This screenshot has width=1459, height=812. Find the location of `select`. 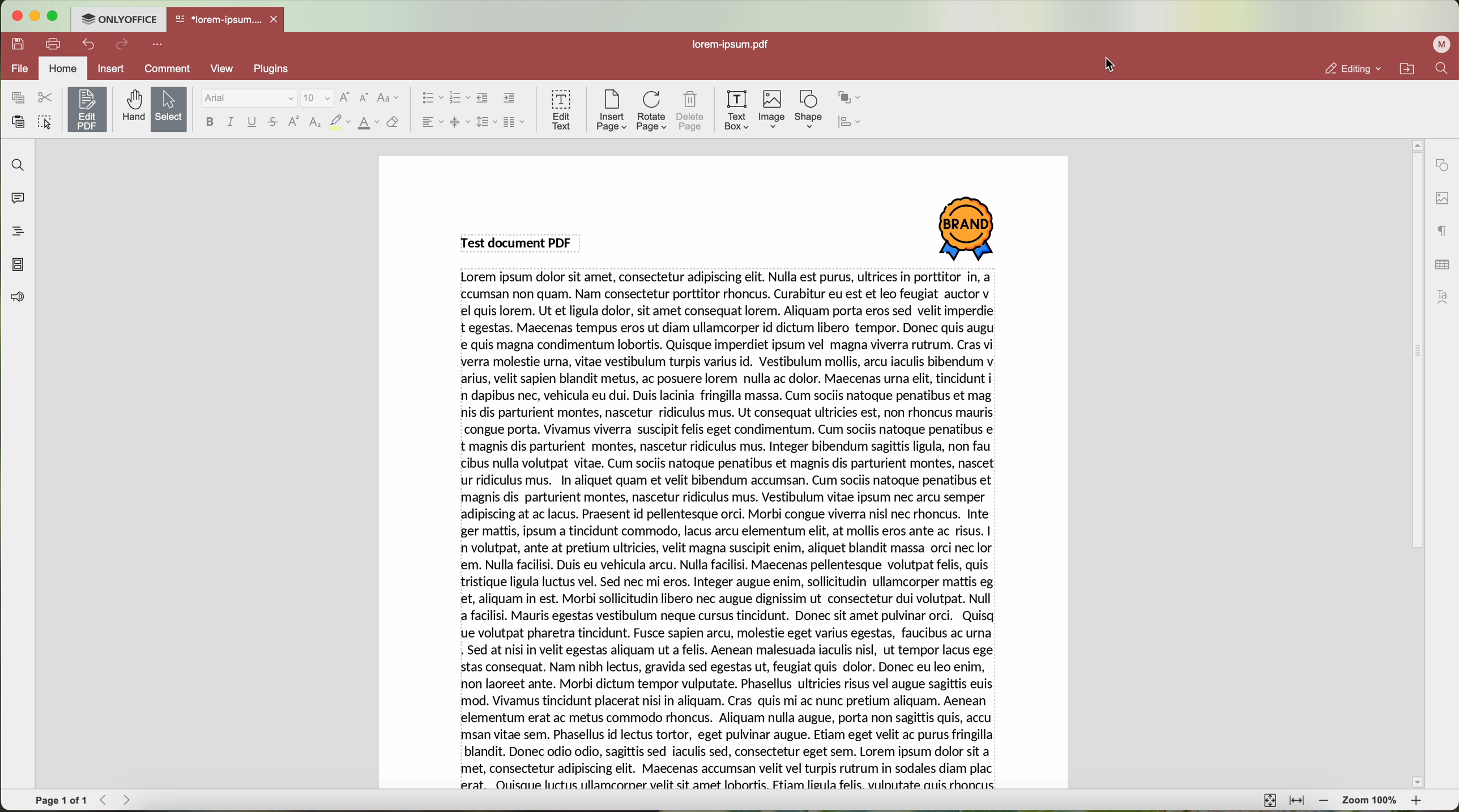

select is located at coordinates (169, 110).